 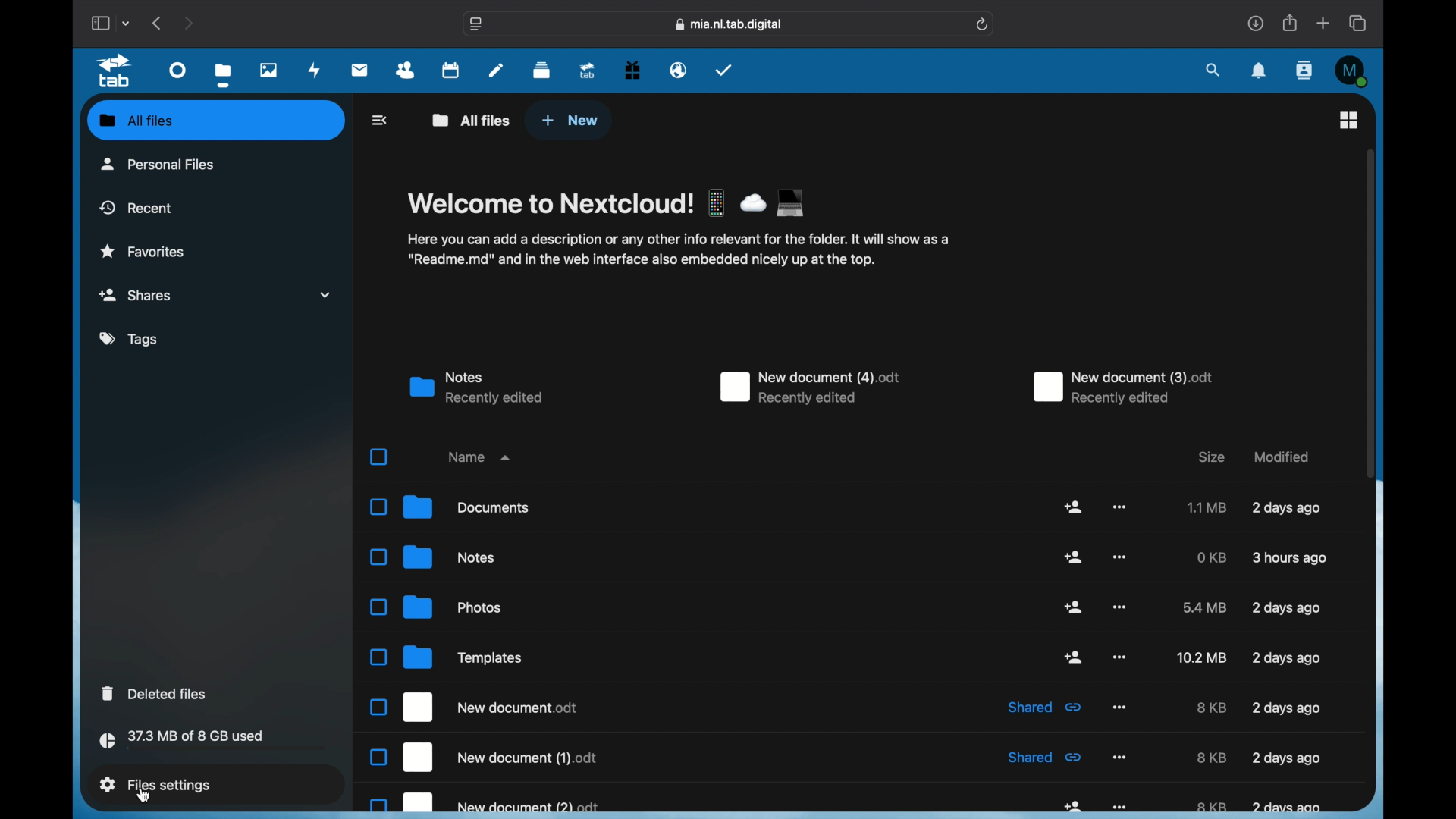 What do you see at coordinates (496, 69) in the screenshot?
I see `notes` at bounding box center [496, 69].